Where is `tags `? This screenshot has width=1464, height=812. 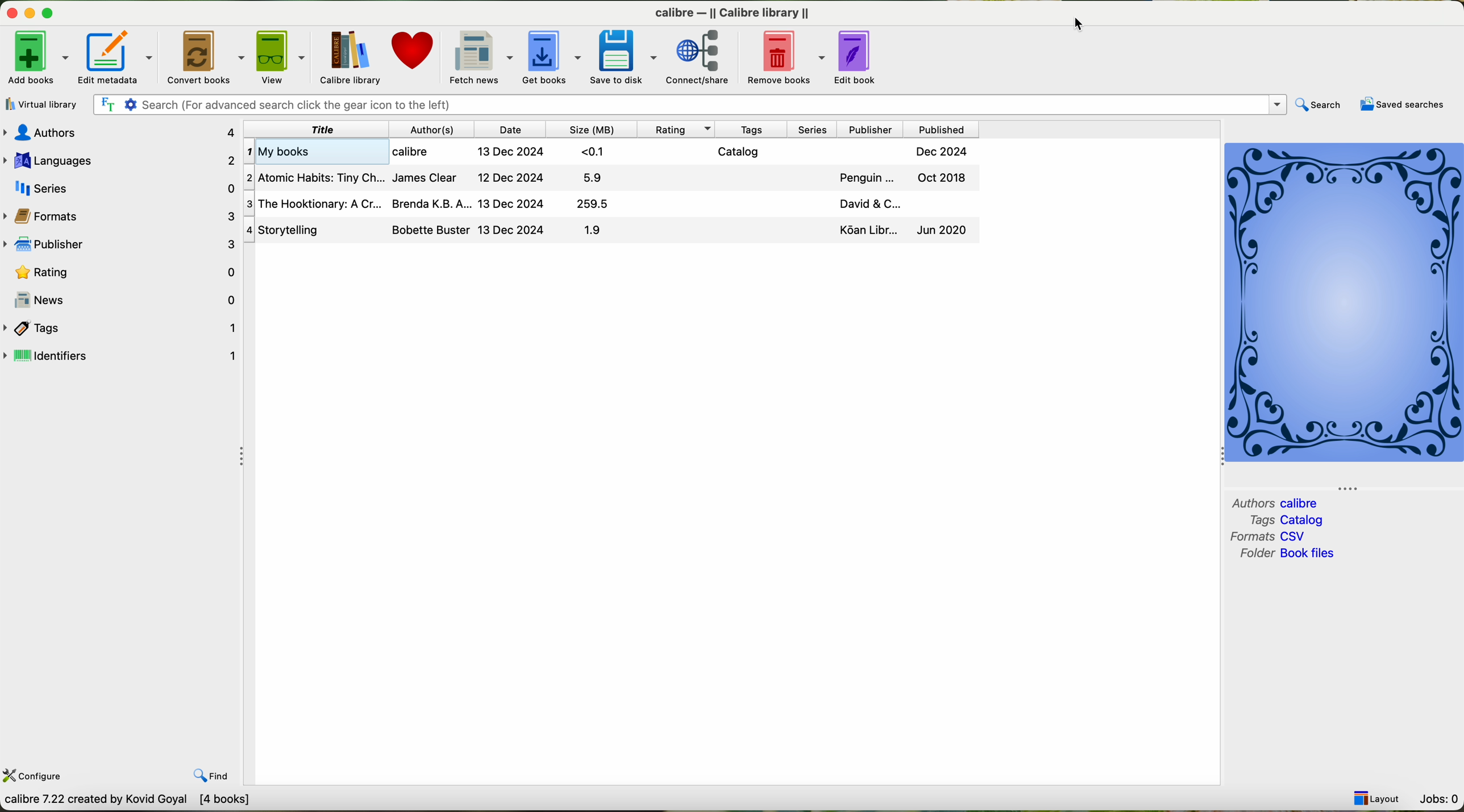
tags  is located at coordinates (1253, 521).